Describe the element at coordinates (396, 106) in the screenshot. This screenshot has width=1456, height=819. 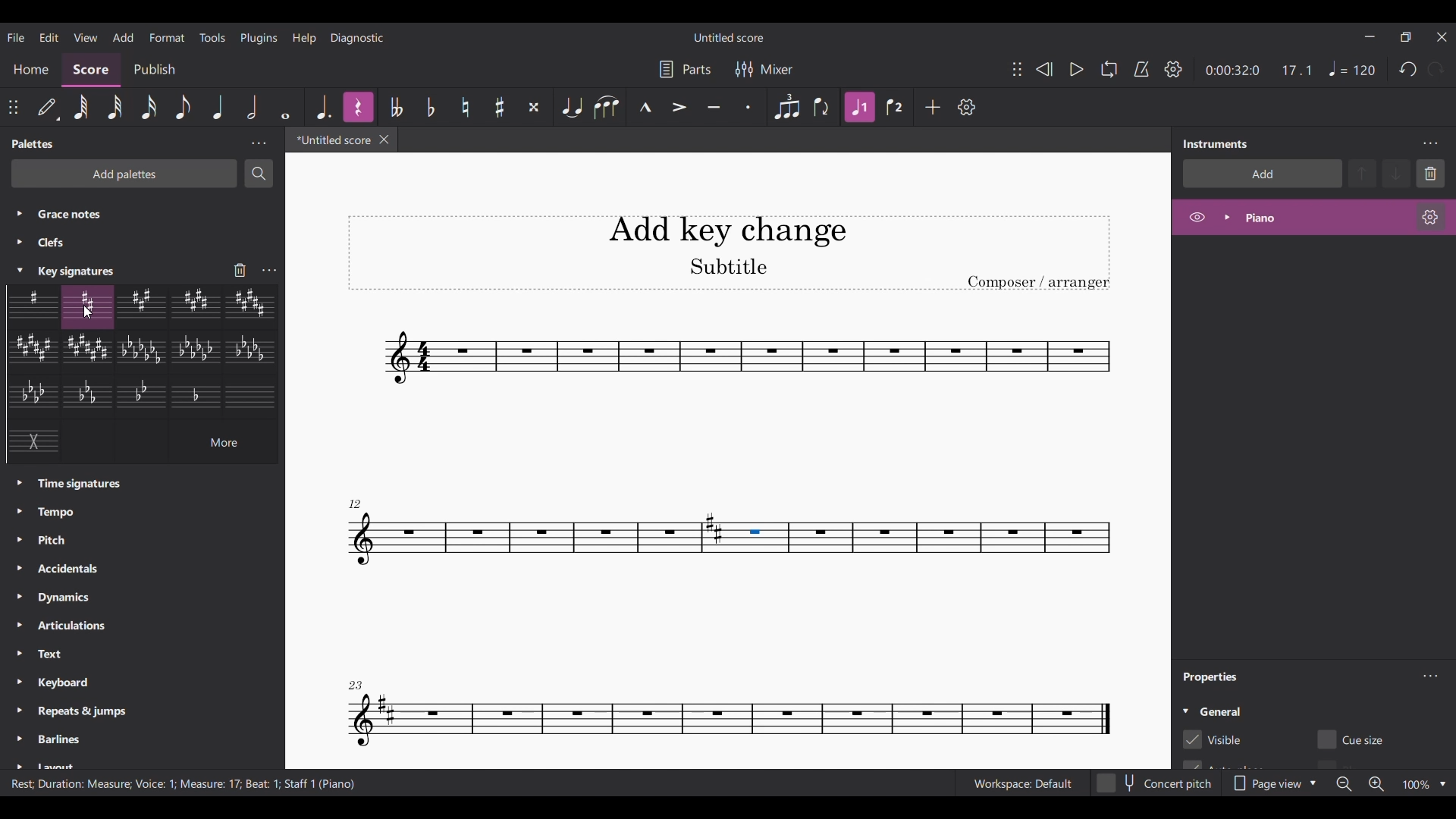
I see `Toggle double flat` at that location.